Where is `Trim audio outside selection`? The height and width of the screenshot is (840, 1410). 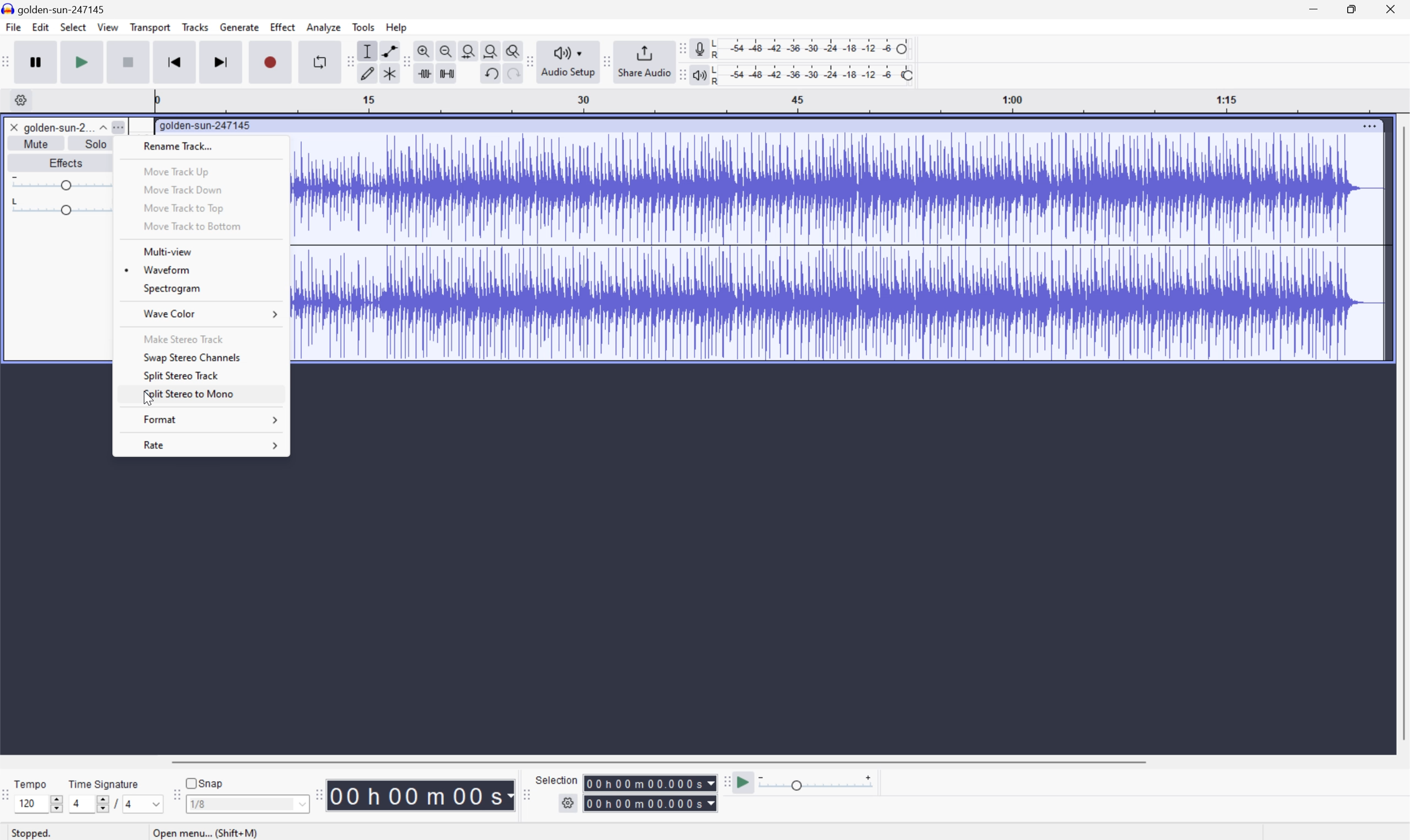 Trim audio outside selection is located at coordinates (424, 74).